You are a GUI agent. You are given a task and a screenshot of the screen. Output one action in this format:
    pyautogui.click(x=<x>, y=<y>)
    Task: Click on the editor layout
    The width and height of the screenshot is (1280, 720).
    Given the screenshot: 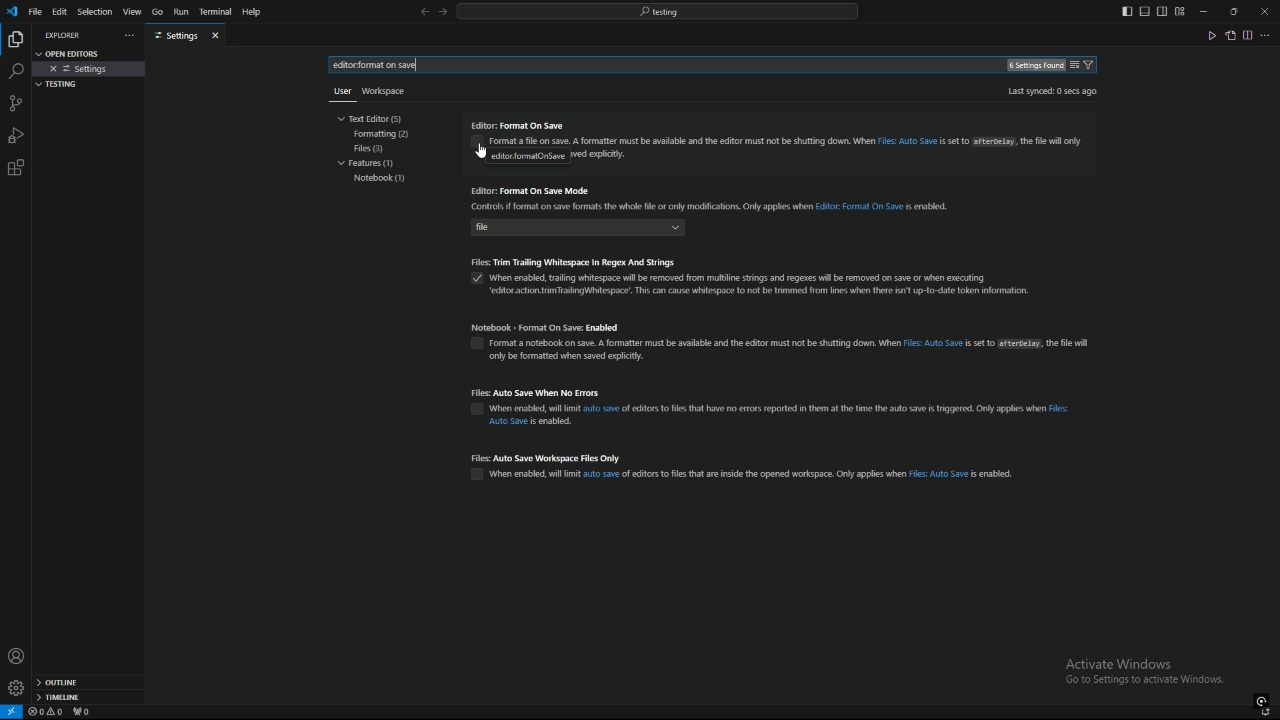 What is the action you would take?
    pyautogui.click(x=1153, y=11)
    